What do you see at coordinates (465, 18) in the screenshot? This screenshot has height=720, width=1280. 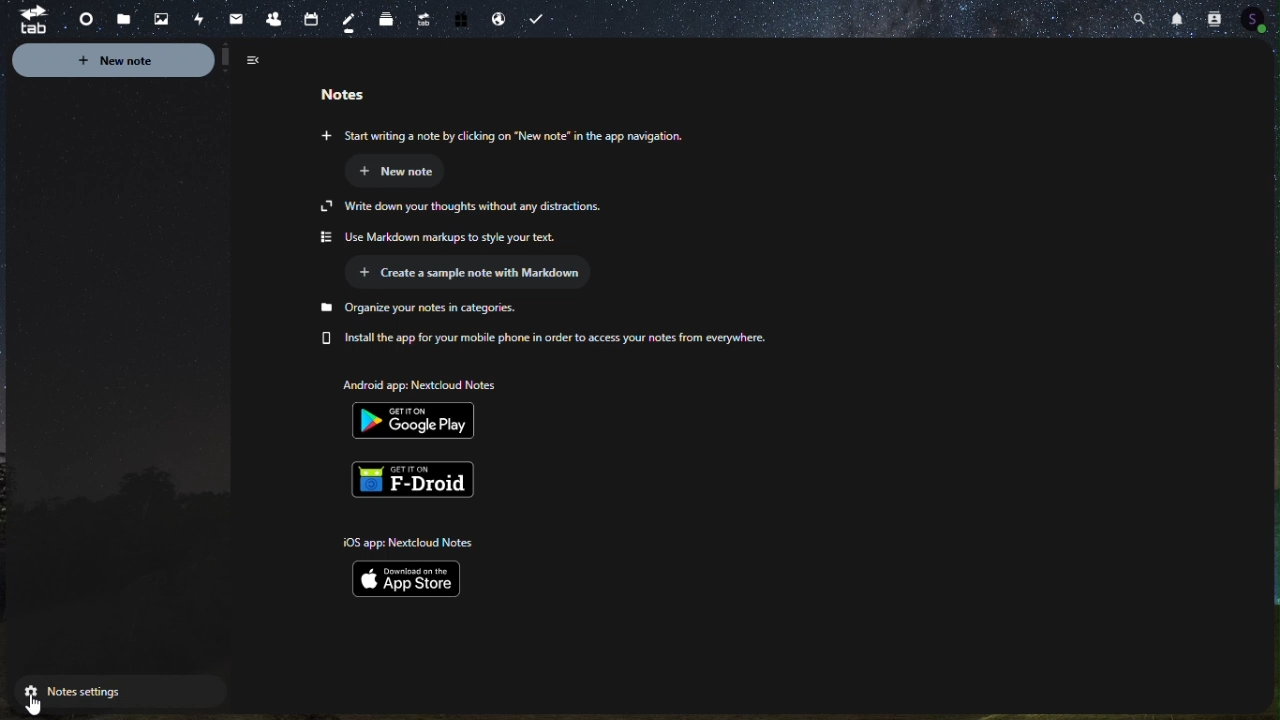 I see `Free trial` at bounding box center [465, 18].